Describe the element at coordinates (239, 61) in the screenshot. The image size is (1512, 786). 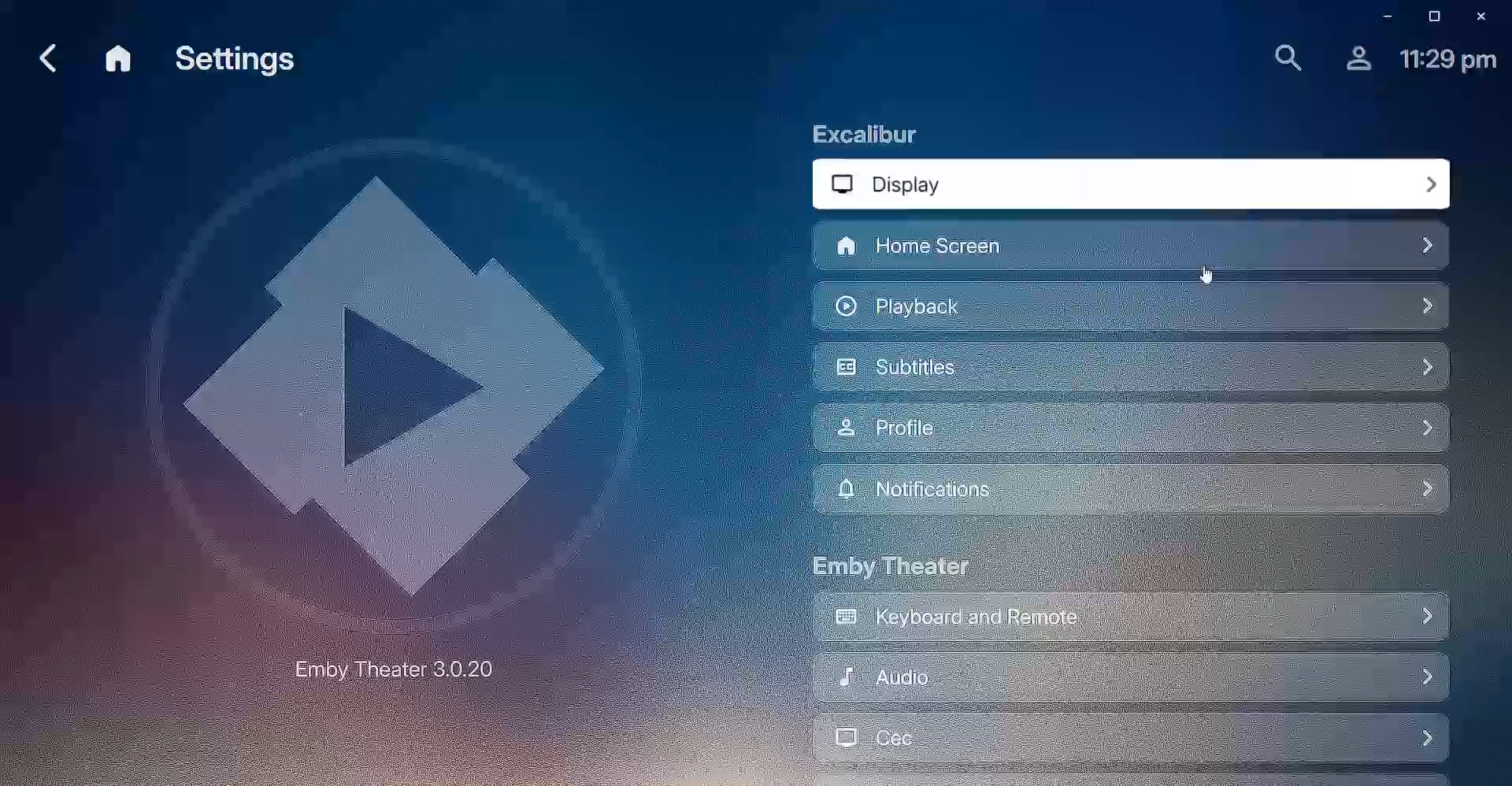
I see `Settings` at that location.